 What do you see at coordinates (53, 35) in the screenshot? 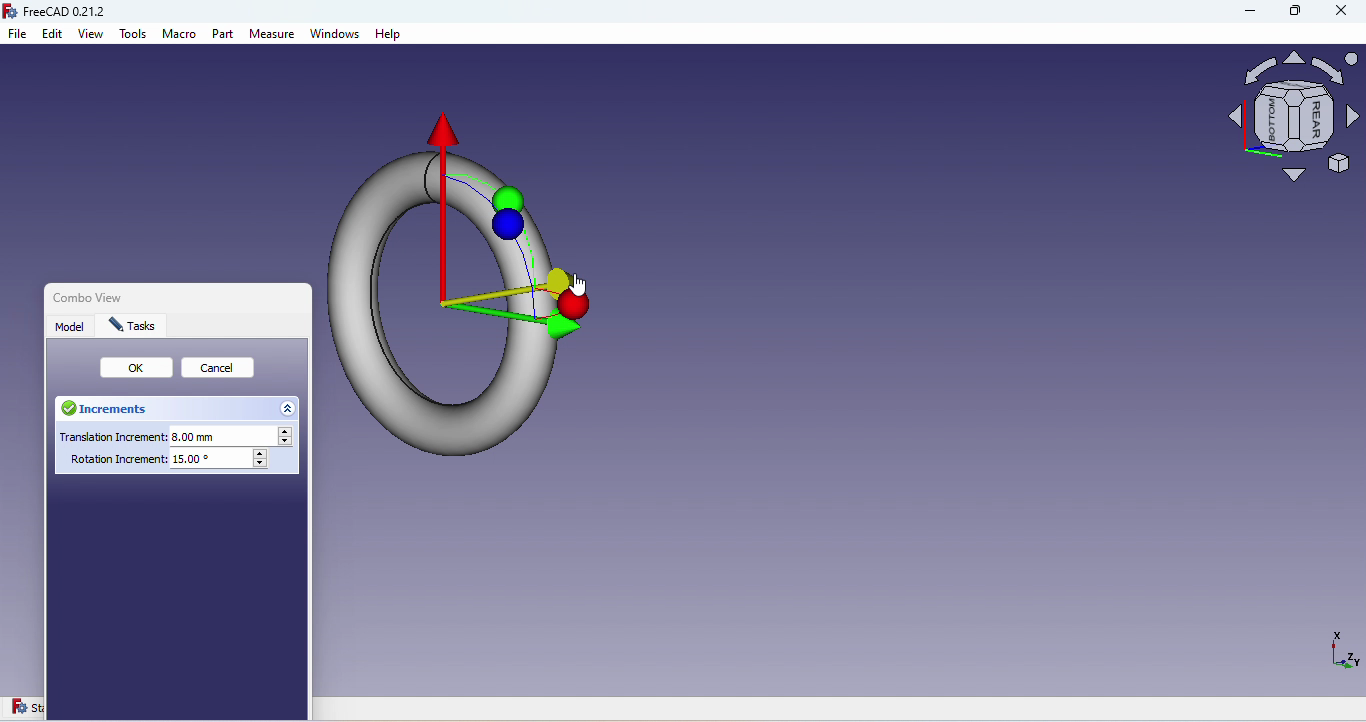
I see `Edit` at bounding box center [53, 35].